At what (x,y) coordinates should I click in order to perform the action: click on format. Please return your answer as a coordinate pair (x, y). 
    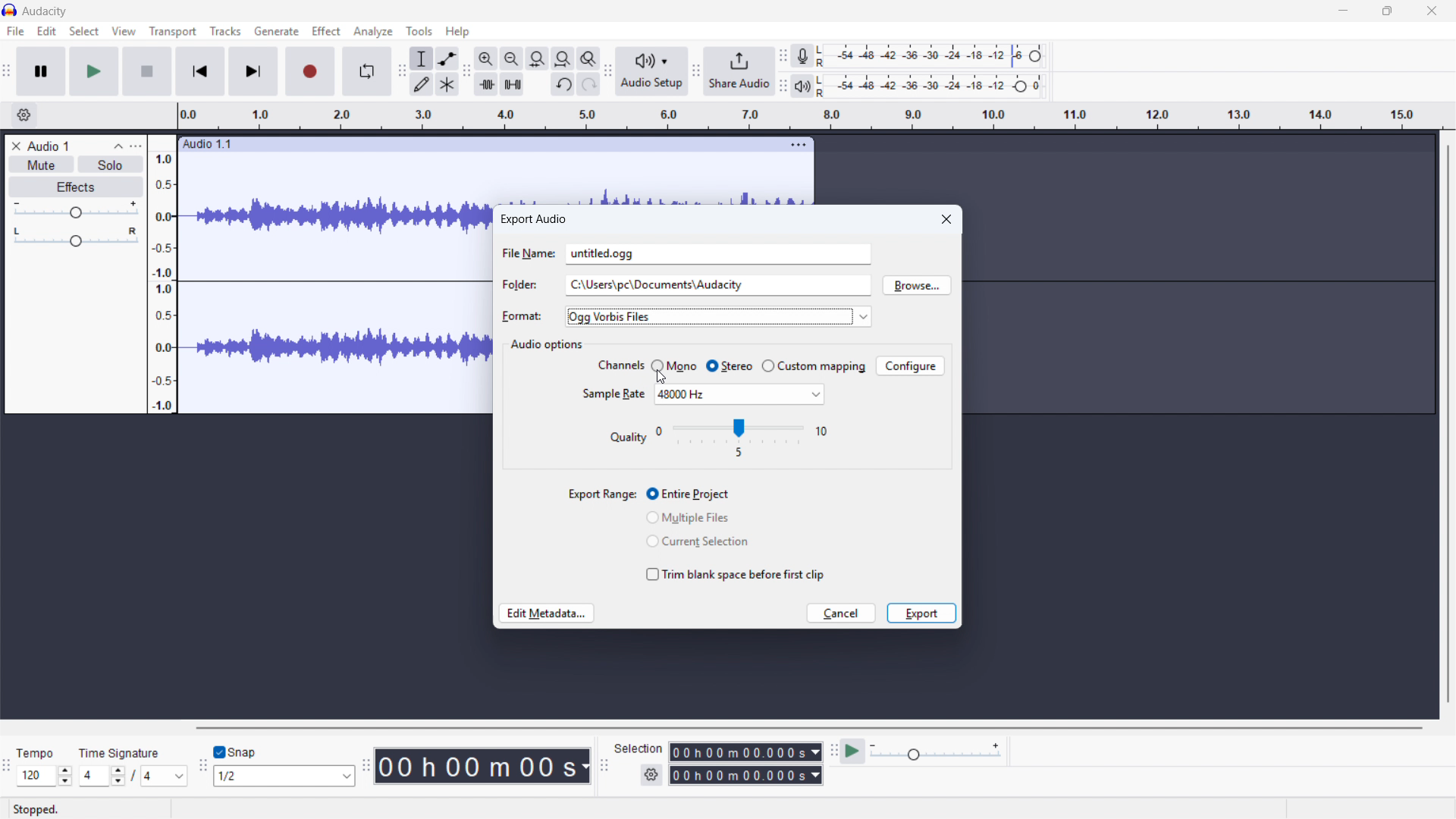
    Looking at the image, I should click on (519, 317).